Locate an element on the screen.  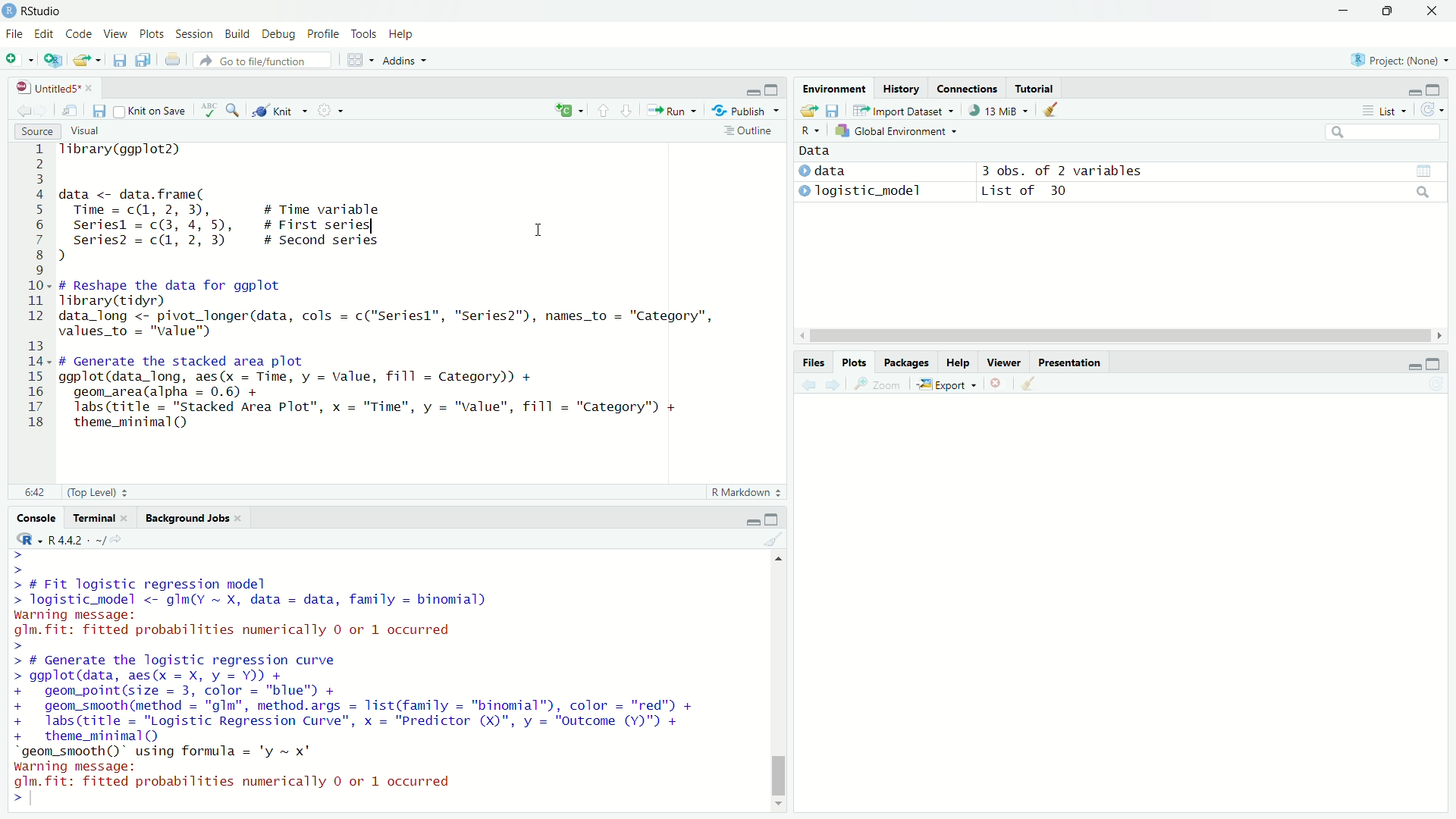
Tools is located at coordinates (364, 33).